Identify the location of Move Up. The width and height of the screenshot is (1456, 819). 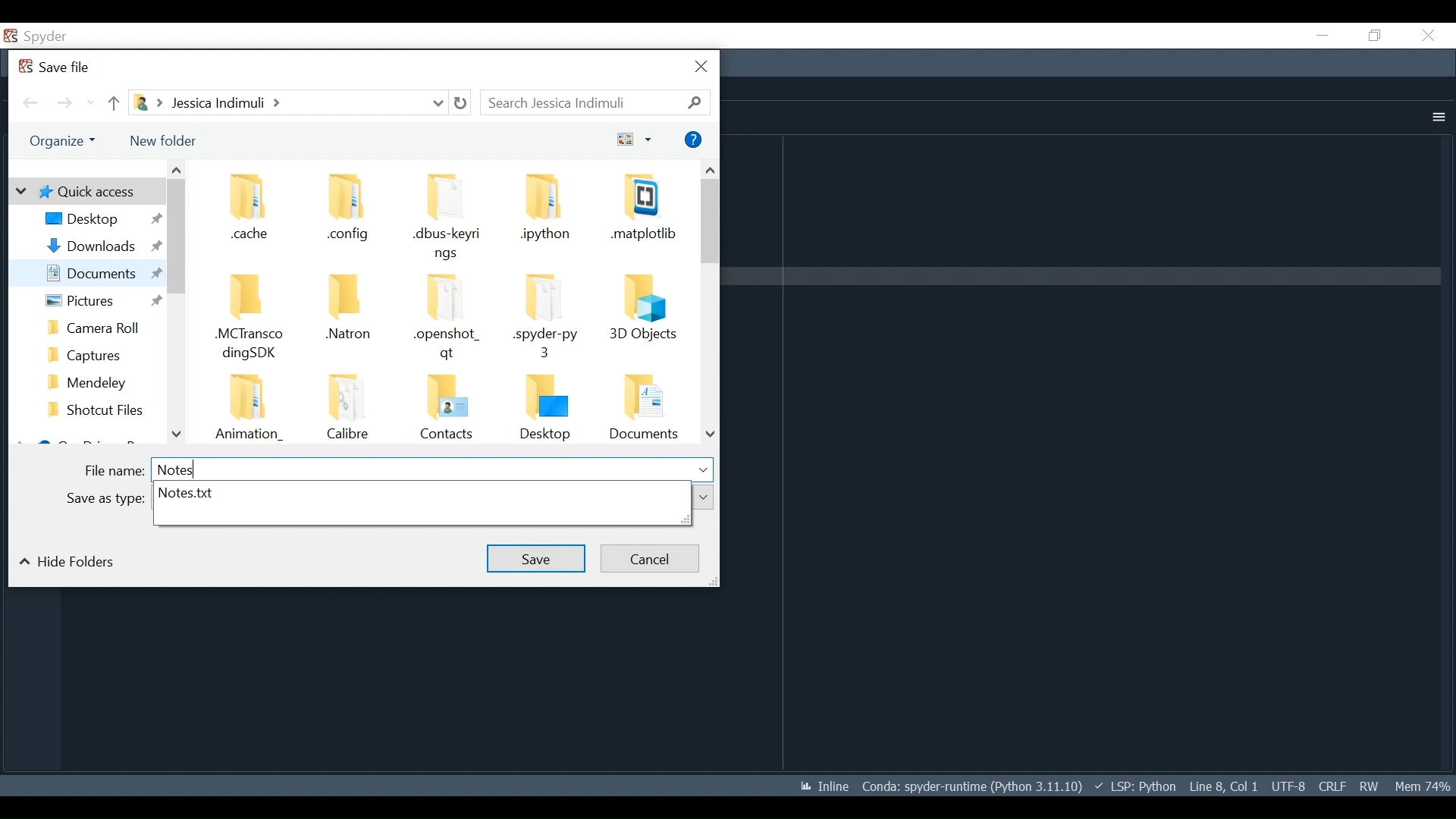
(115, 104).